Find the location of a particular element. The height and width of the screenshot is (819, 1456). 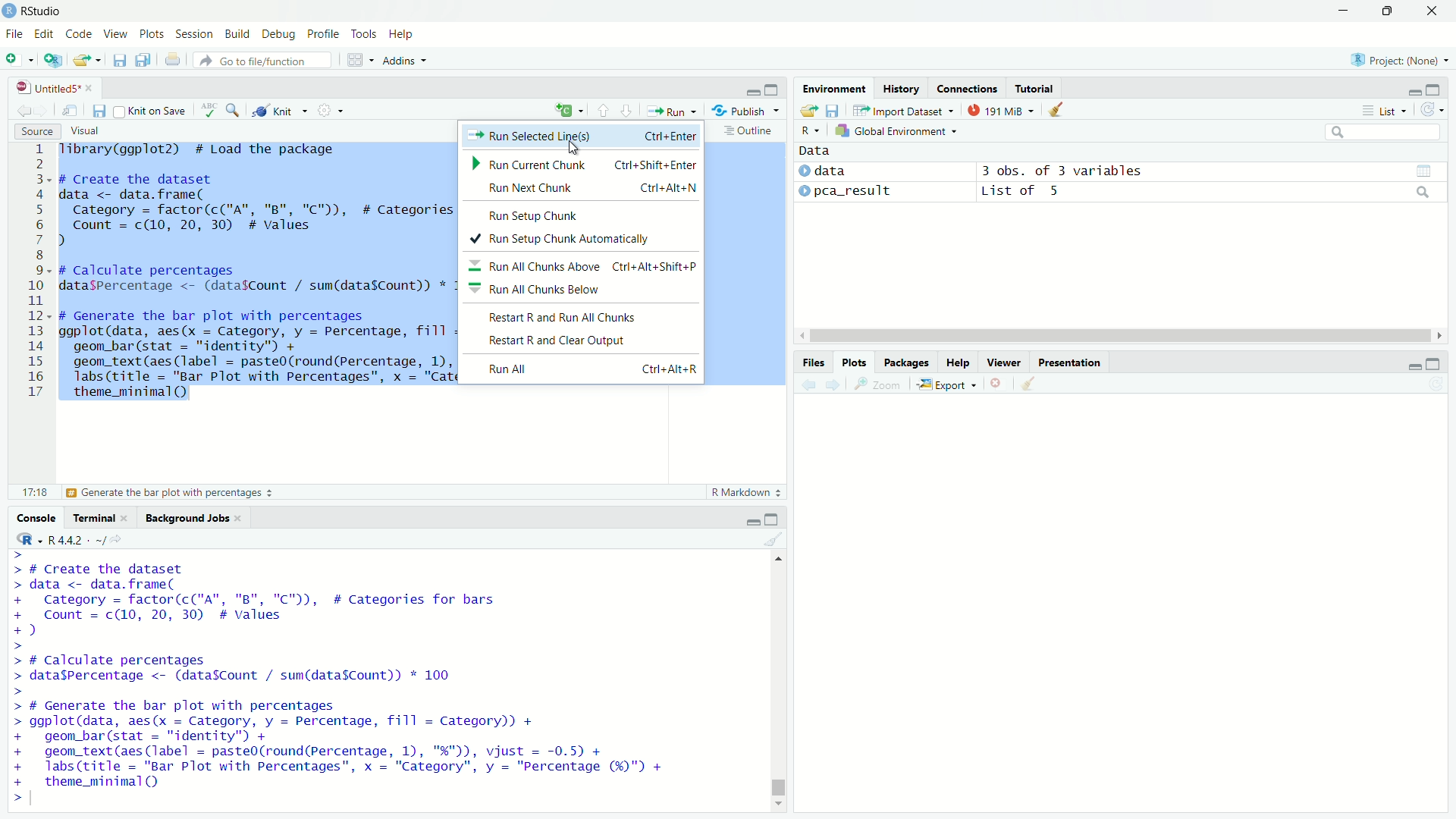

load workspace is located at coordinates (808, 111).